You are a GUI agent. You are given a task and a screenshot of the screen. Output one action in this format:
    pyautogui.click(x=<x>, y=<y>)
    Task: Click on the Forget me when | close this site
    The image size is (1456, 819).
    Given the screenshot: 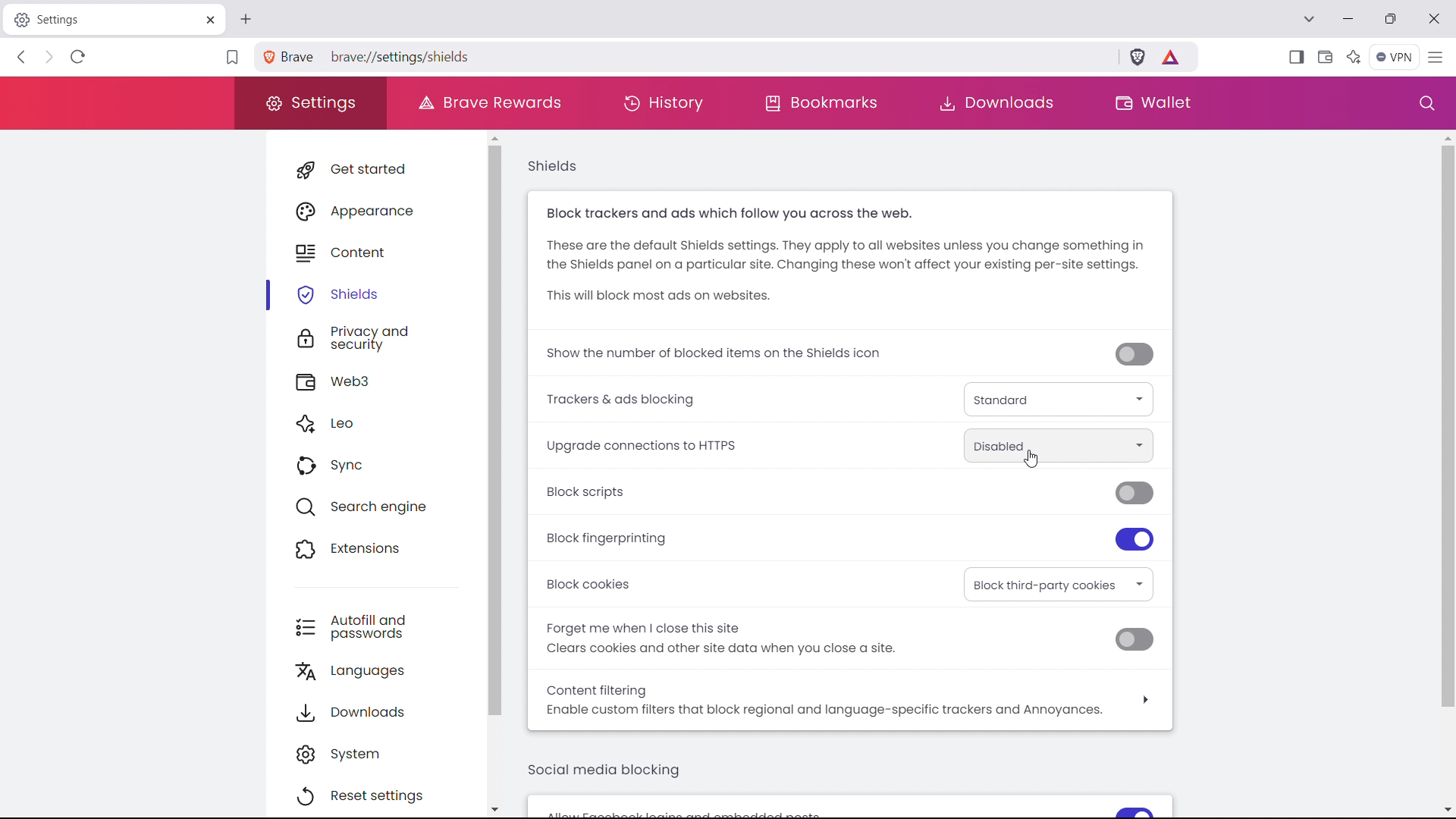 What is the action you would take?
    pyautogui.click(x=646, y=626)
    